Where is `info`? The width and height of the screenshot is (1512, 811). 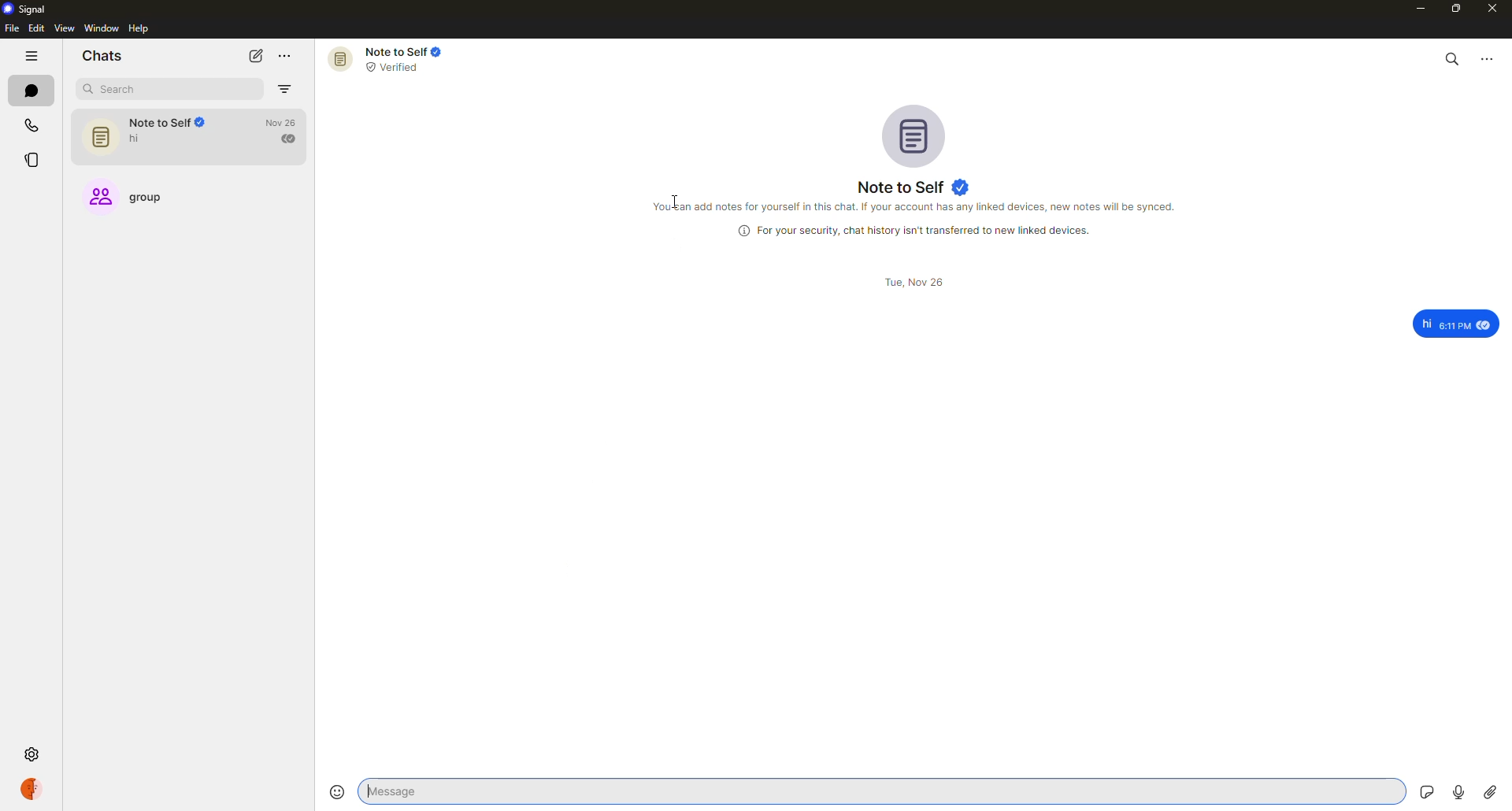 info is located at coordinates (918, 231).